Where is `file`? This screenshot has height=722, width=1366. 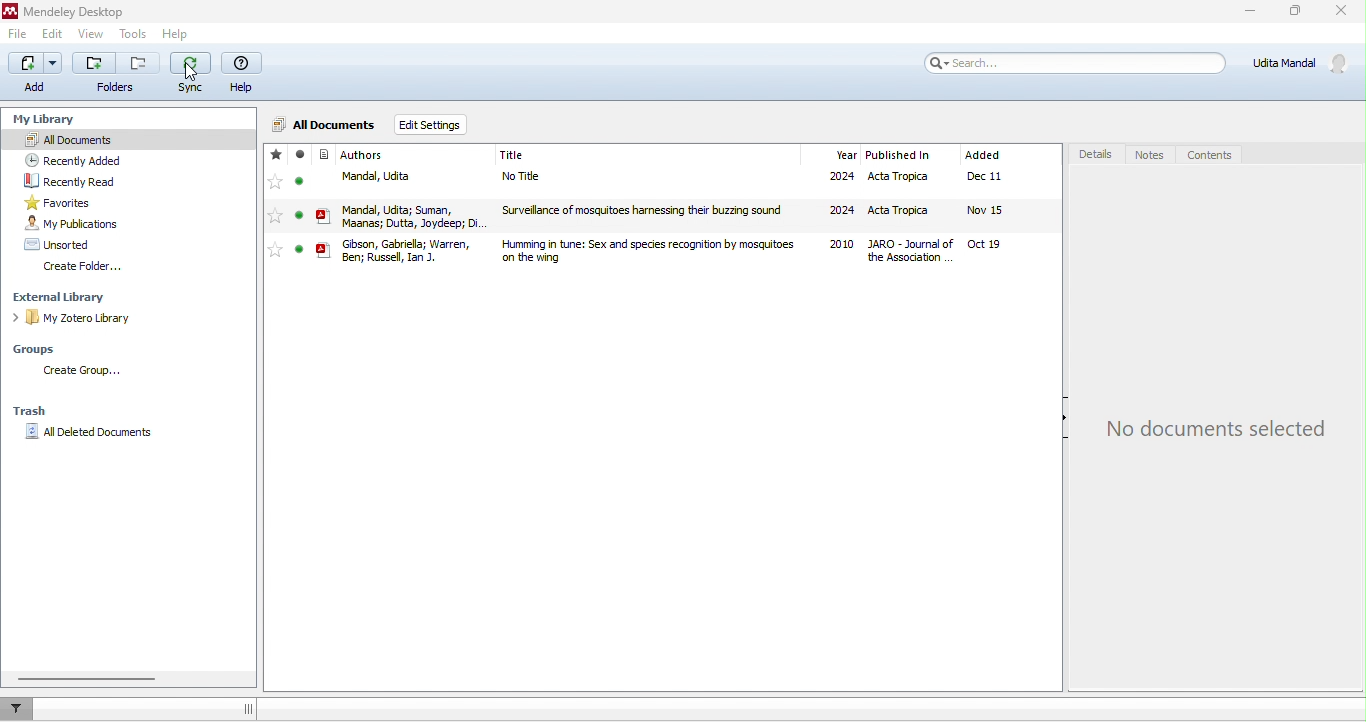
file is located at coordinates (651, 252).